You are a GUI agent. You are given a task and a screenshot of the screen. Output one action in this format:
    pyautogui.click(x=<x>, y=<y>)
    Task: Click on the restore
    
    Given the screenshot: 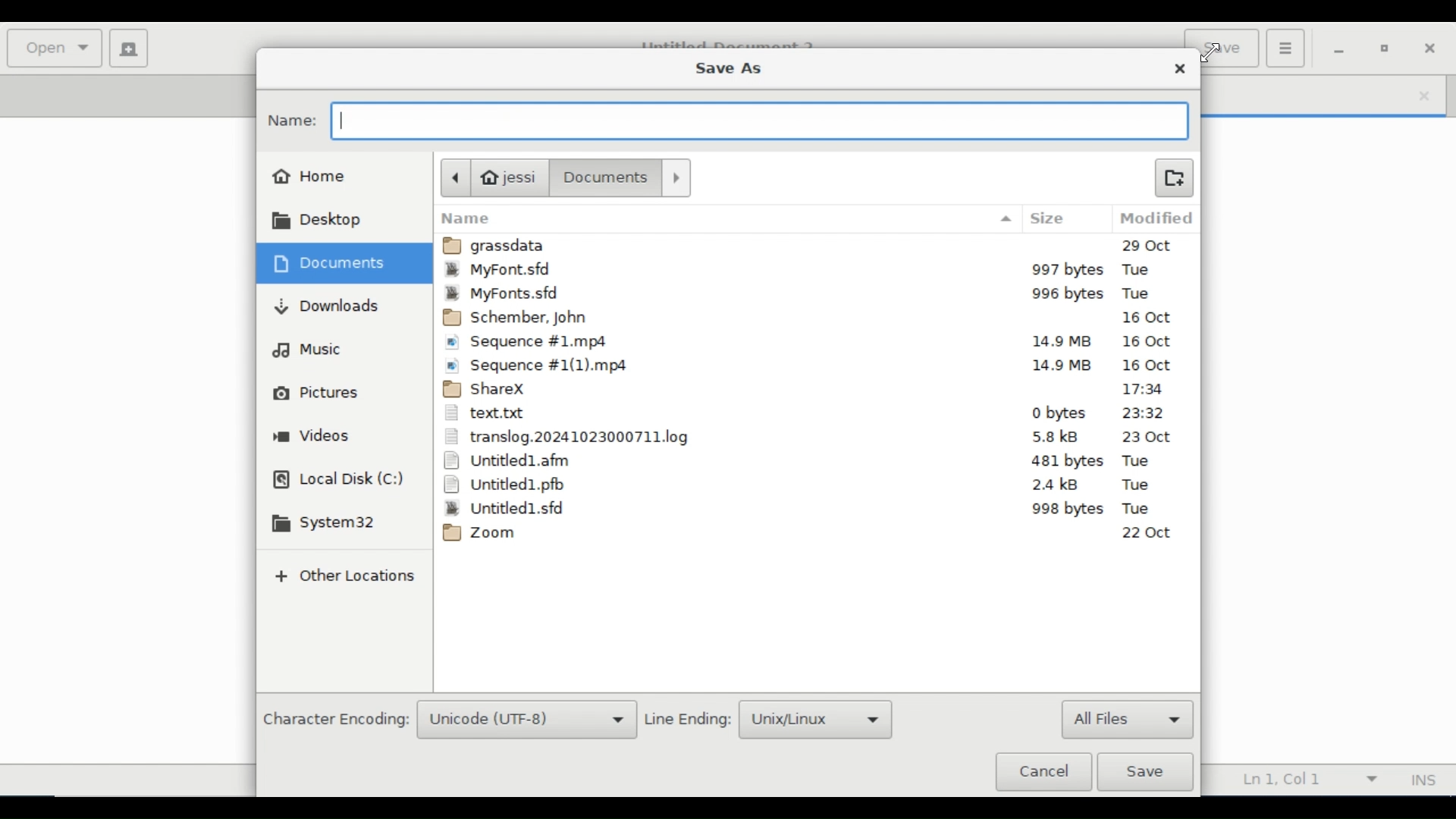 What is the action you would take?
    pyautogui.click(x=1386, y=49)
    